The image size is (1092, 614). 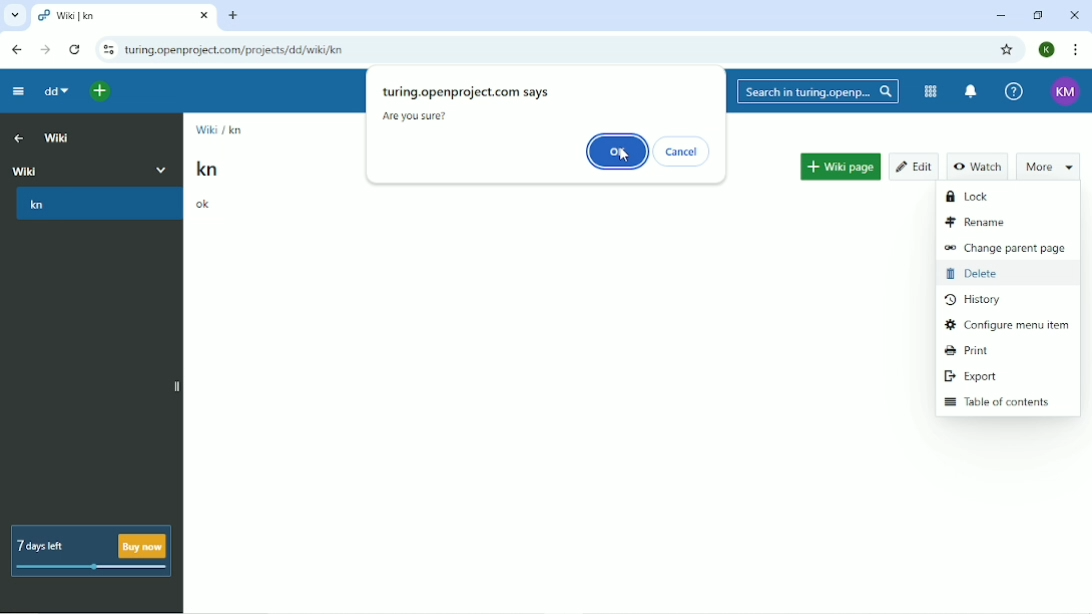 I want to click on Search tabs, so click(x=16, y=16).